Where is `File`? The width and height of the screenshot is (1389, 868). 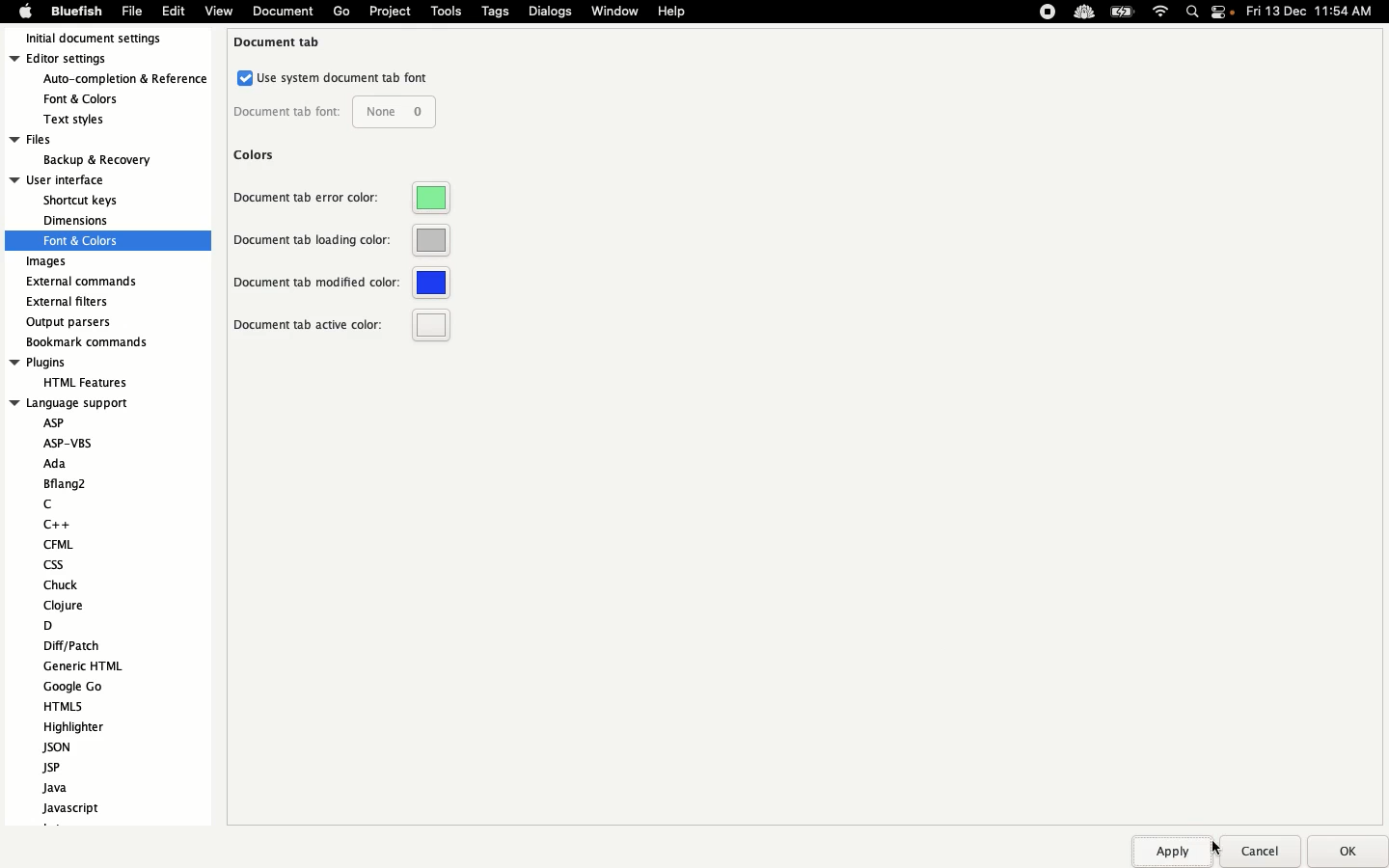
File is located at coordinates (132, 11).